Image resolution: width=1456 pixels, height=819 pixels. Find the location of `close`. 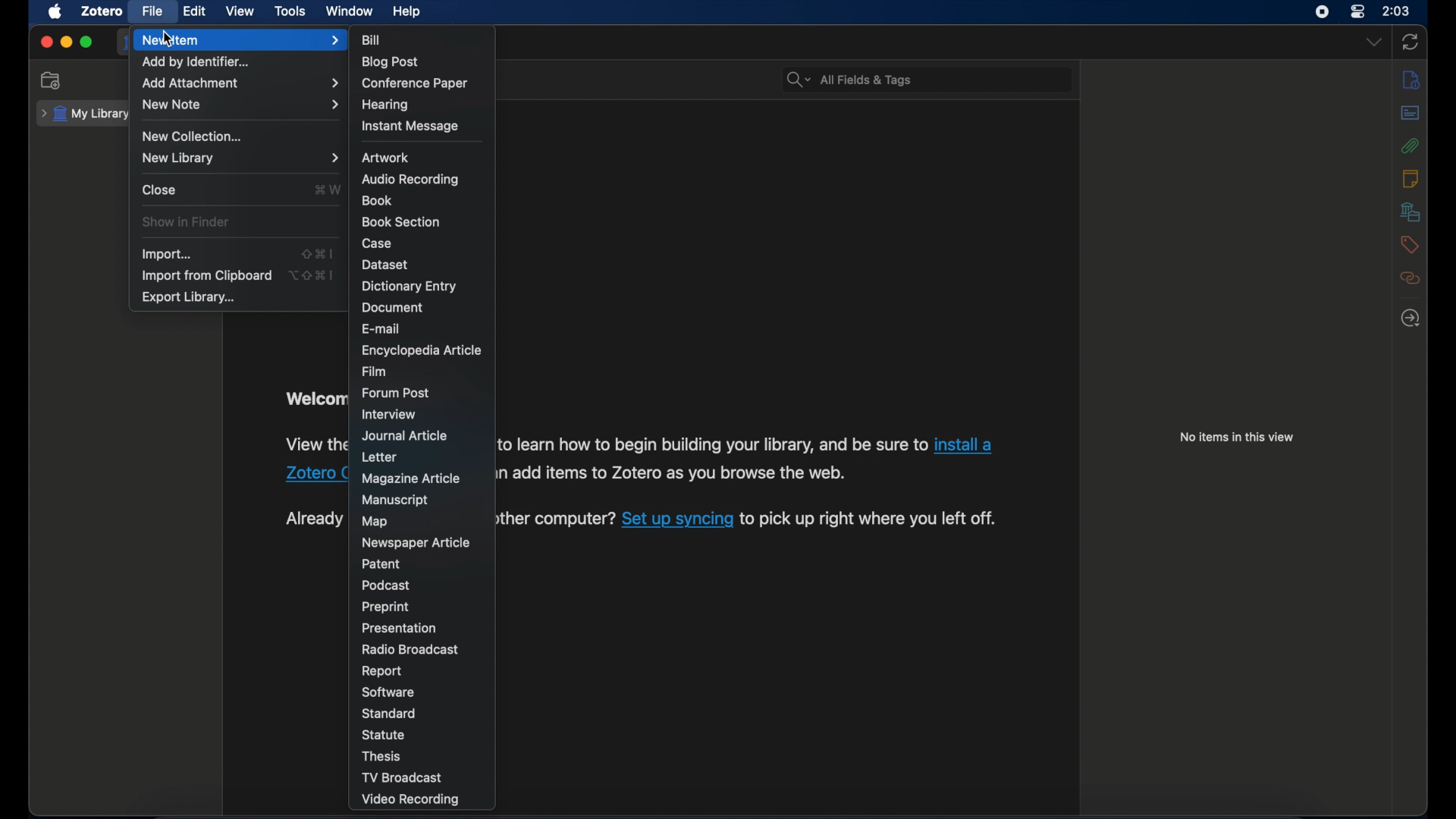

close is located at coordinates (159, 189).